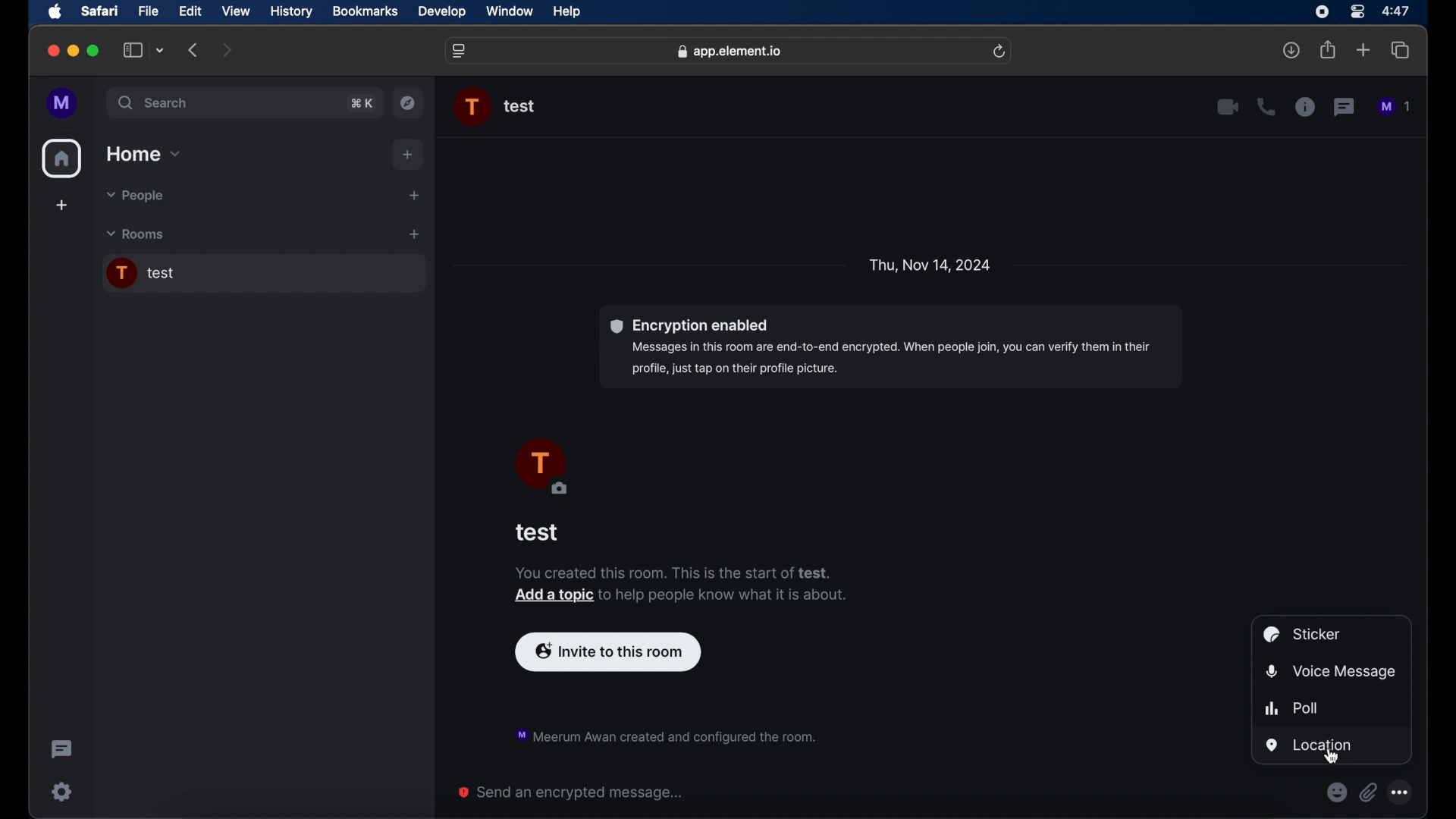 The height and width of the screenshot is (819, 1456). What do you see at coordinates (1356, 11) in the screenshot?
I see `control center` at bounding box center [1356, 11].